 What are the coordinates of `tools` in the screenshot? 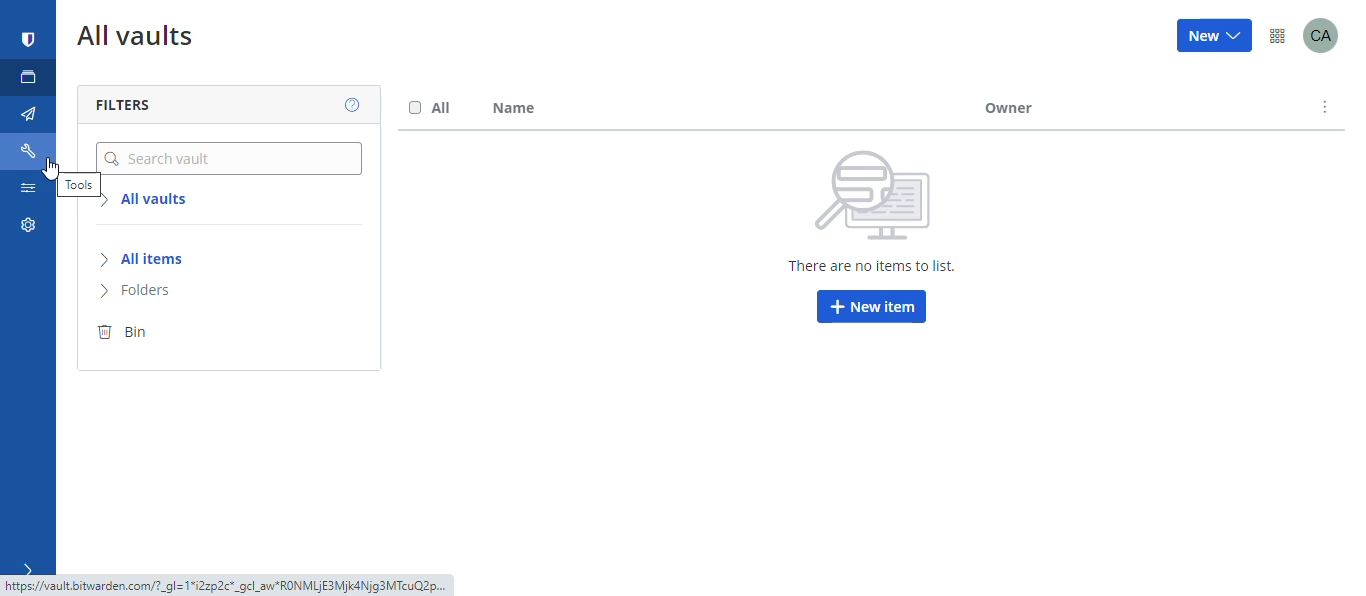 It's located at (74, 185).